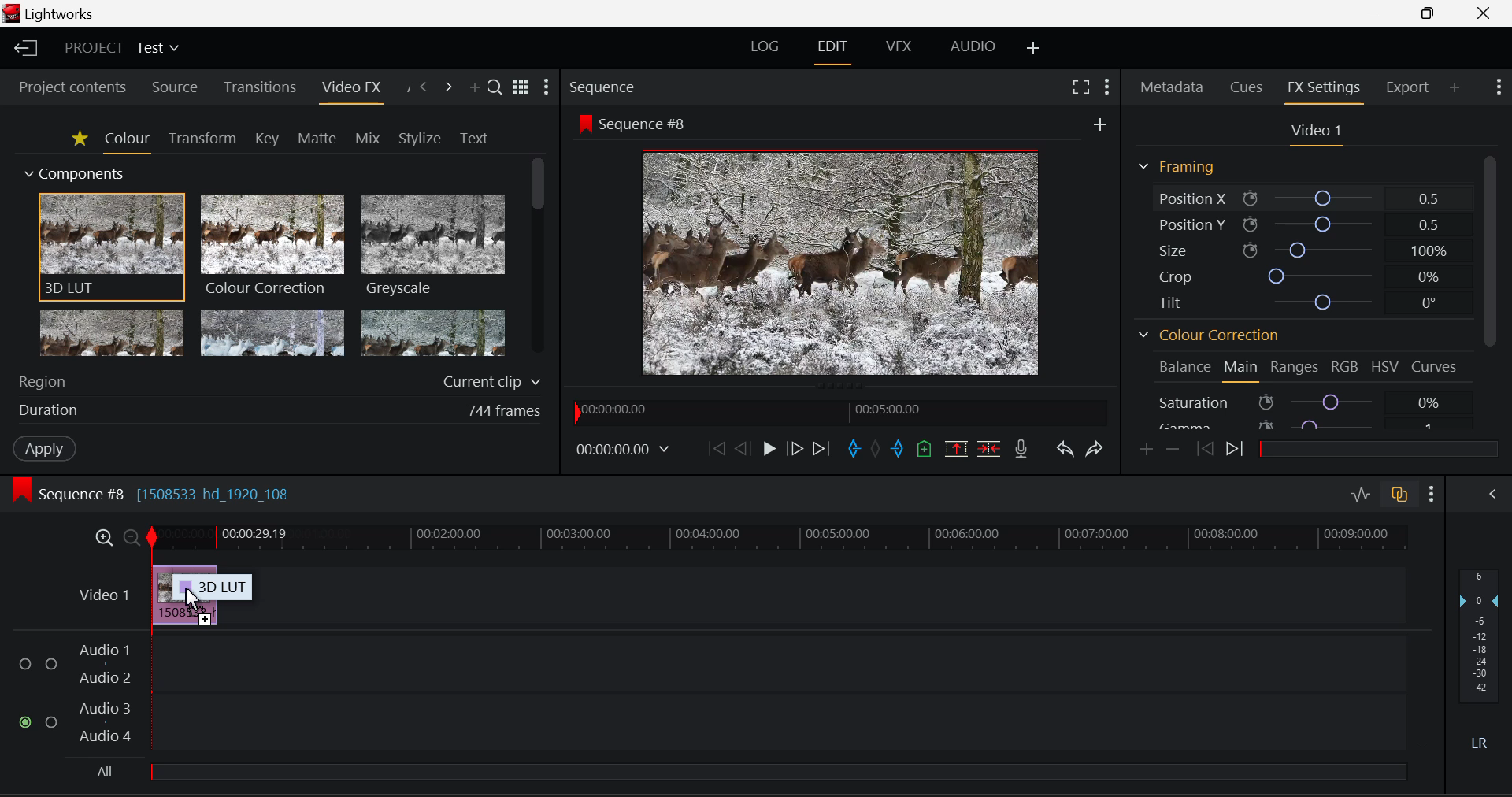 This screenshot has height=797, width=1512. I want to click on Scroll Bar, so click(535, 259).